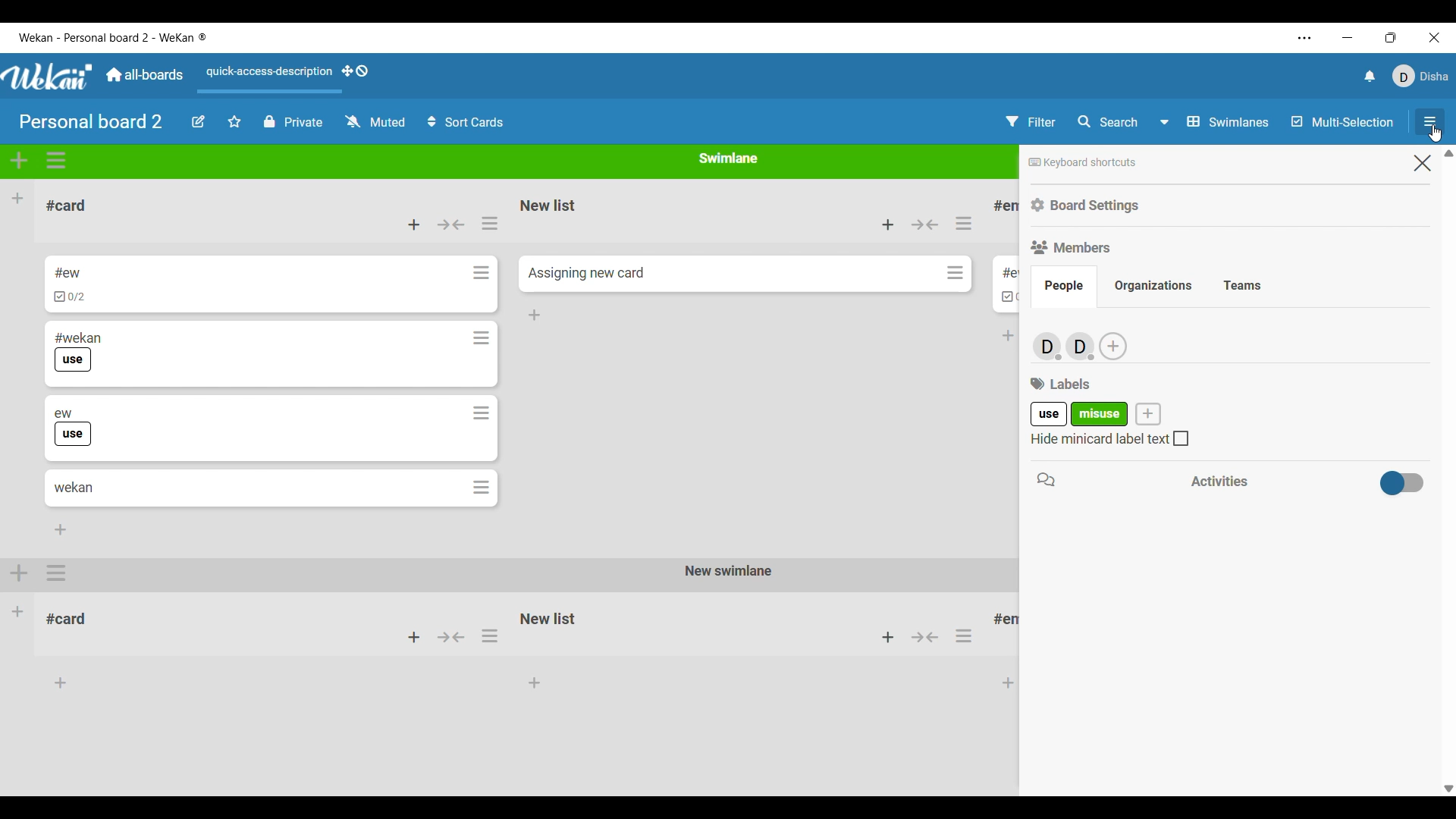 This screenshot has height=819, width=1456. I want to click on cursor, so click(1436, 134).